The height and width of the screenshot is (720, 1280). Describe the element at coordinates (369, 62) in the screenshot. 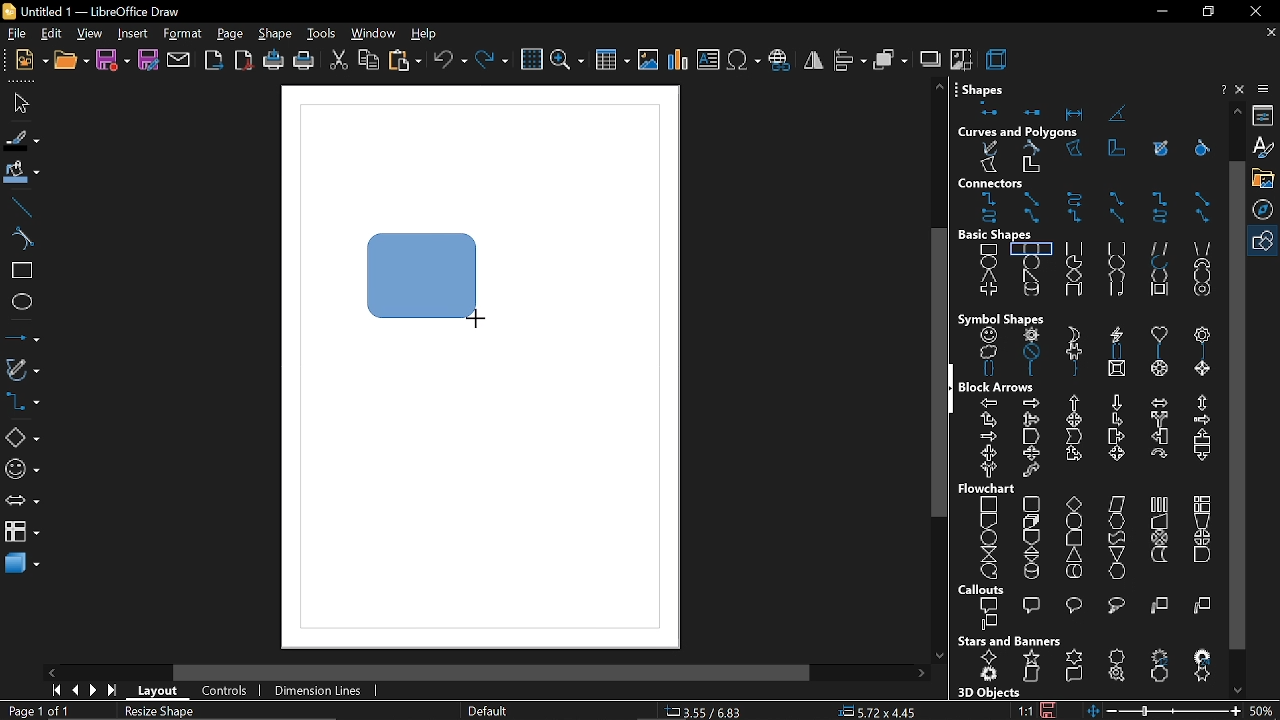

I see `copy` at that location.